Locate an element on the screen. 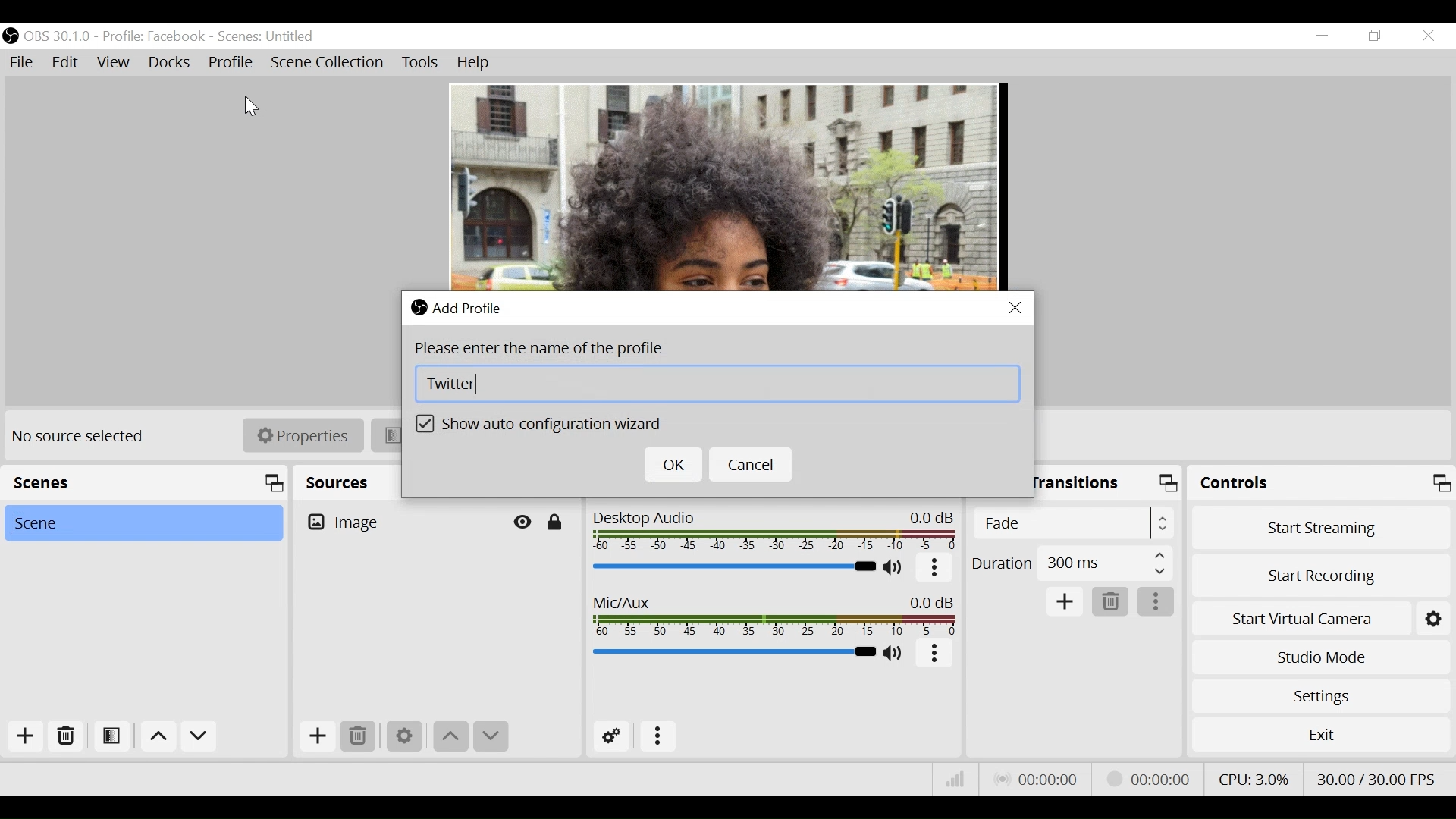  Add is located at coordinates (1066, 603).